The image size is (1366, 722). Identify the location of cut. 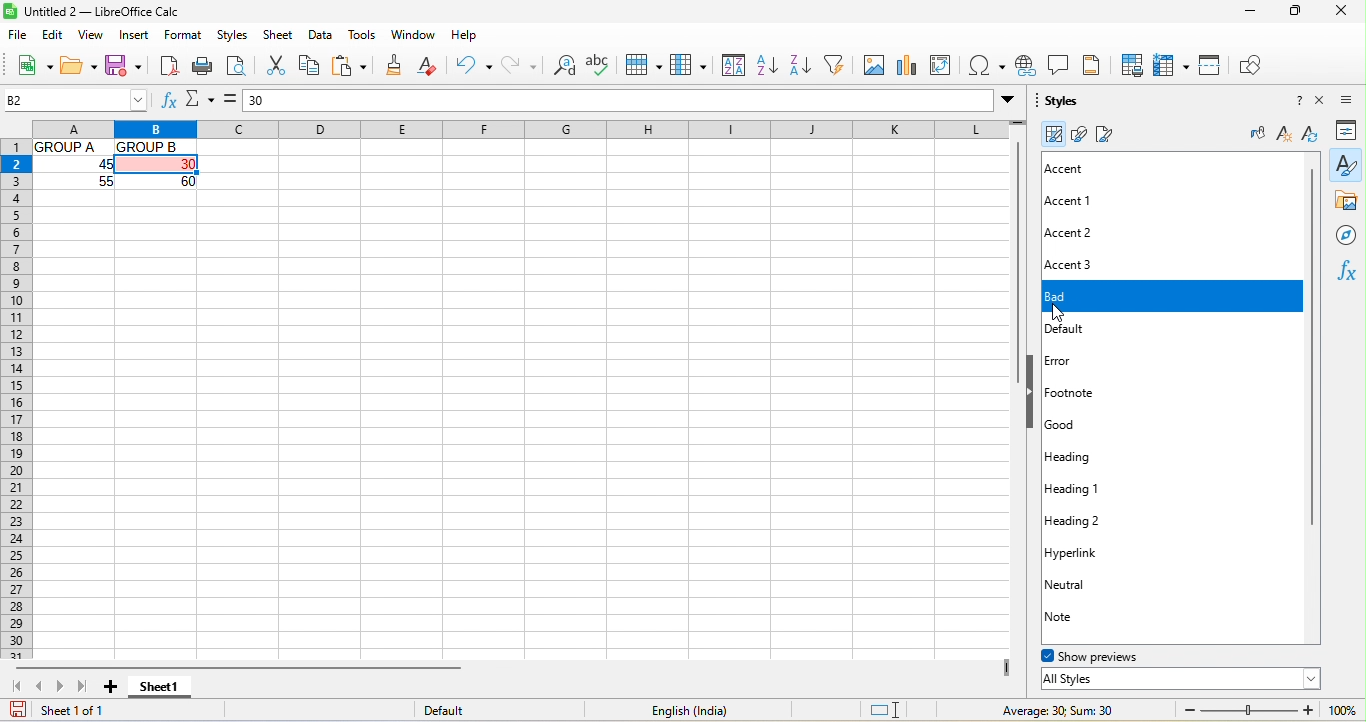
(274, 68).